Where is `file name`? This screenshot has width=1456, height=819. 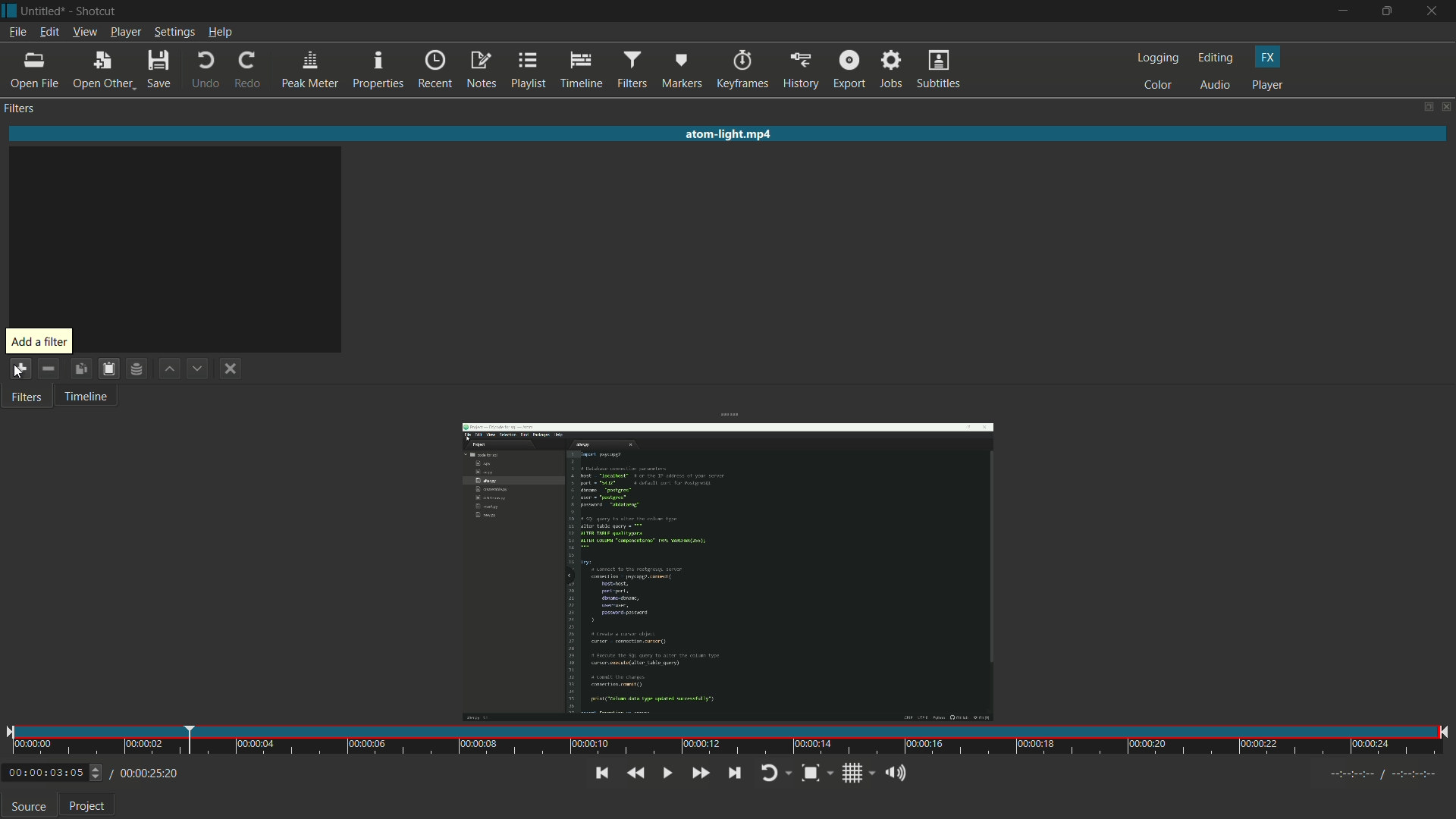 file name is located at coordinates (42, 11).